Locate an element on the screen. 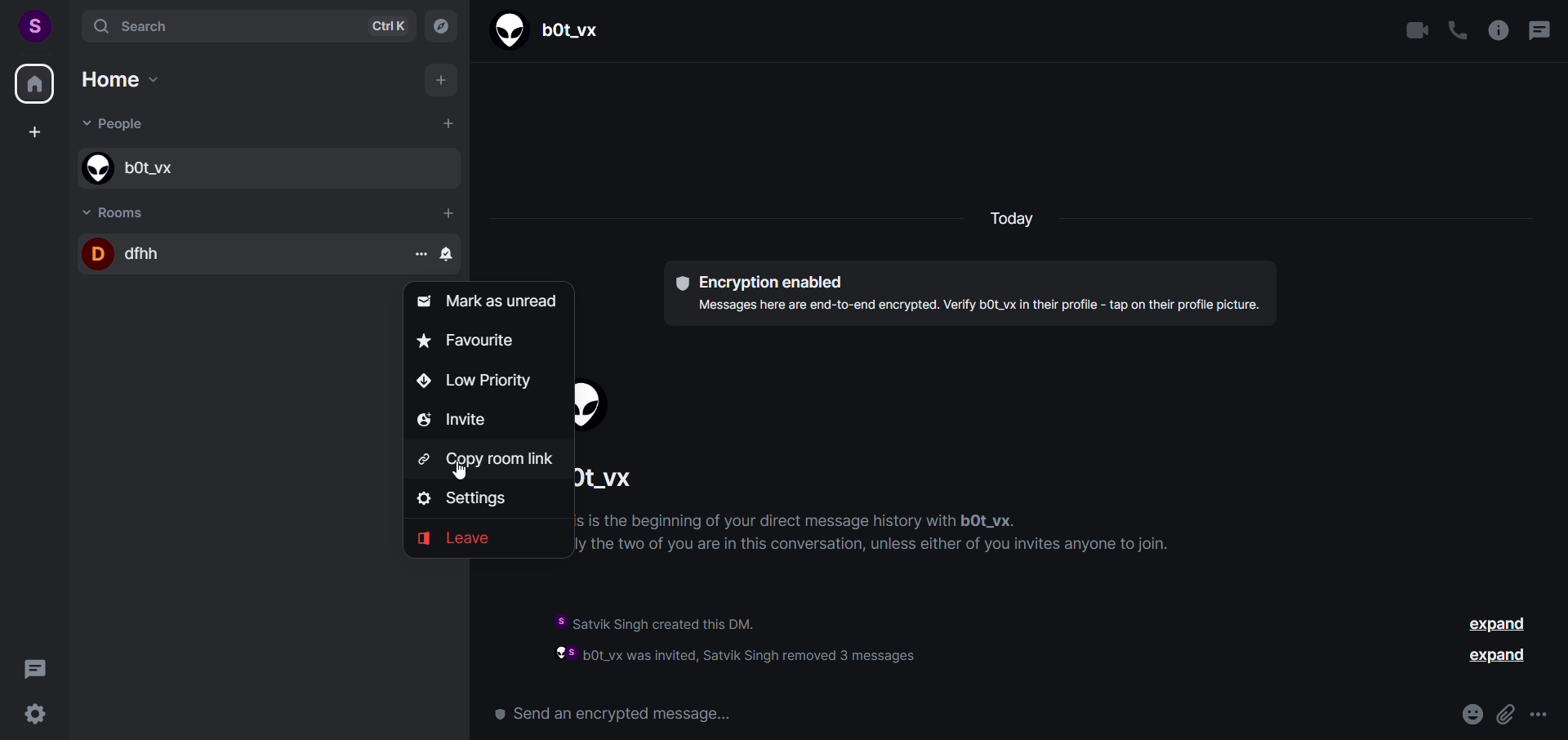 This screenshot has width=1568, height=740. low priority is located at coordinates (471, 381).